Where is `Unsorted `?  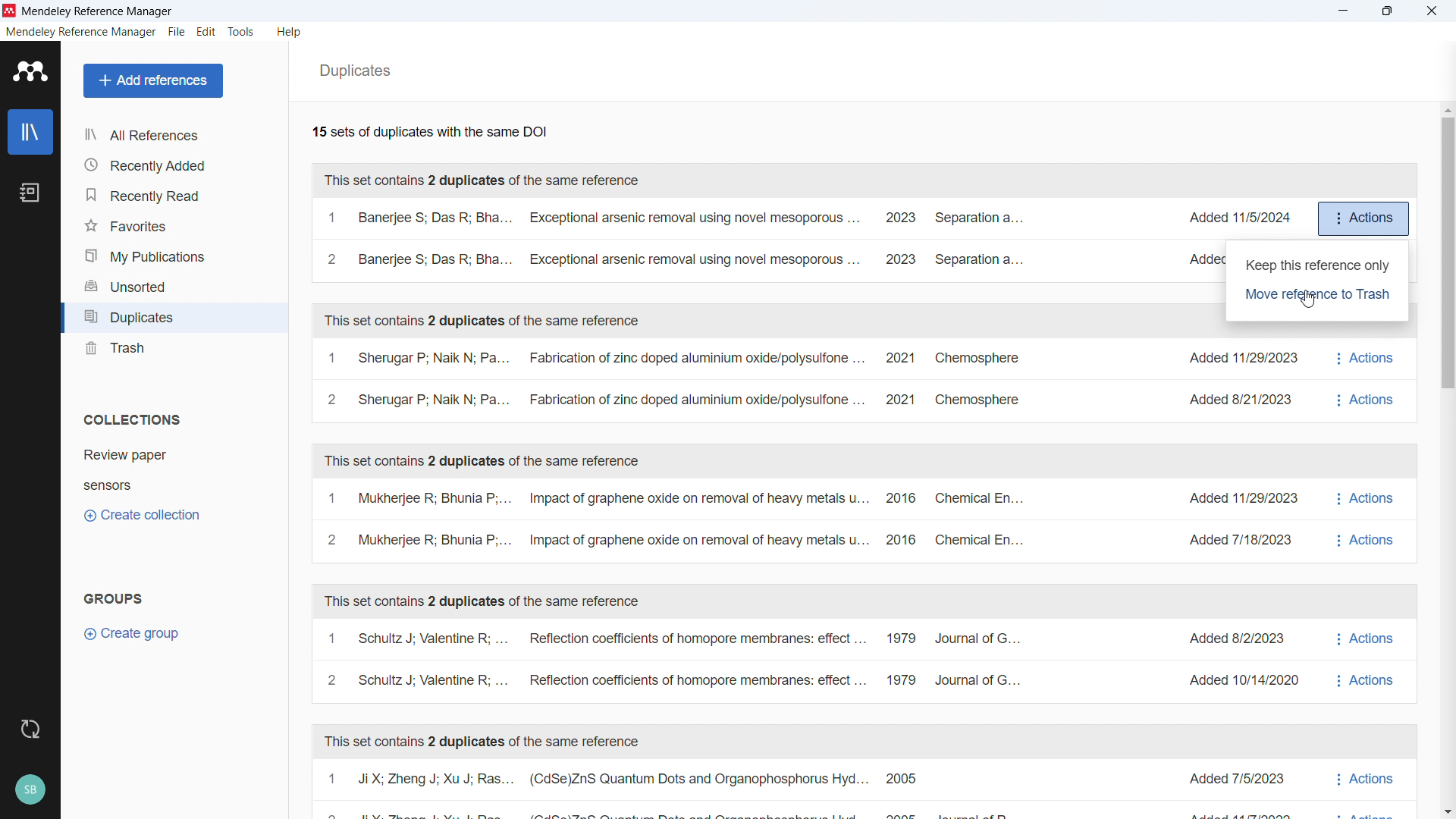
Unsorted  is located at coordinates (173, 286).